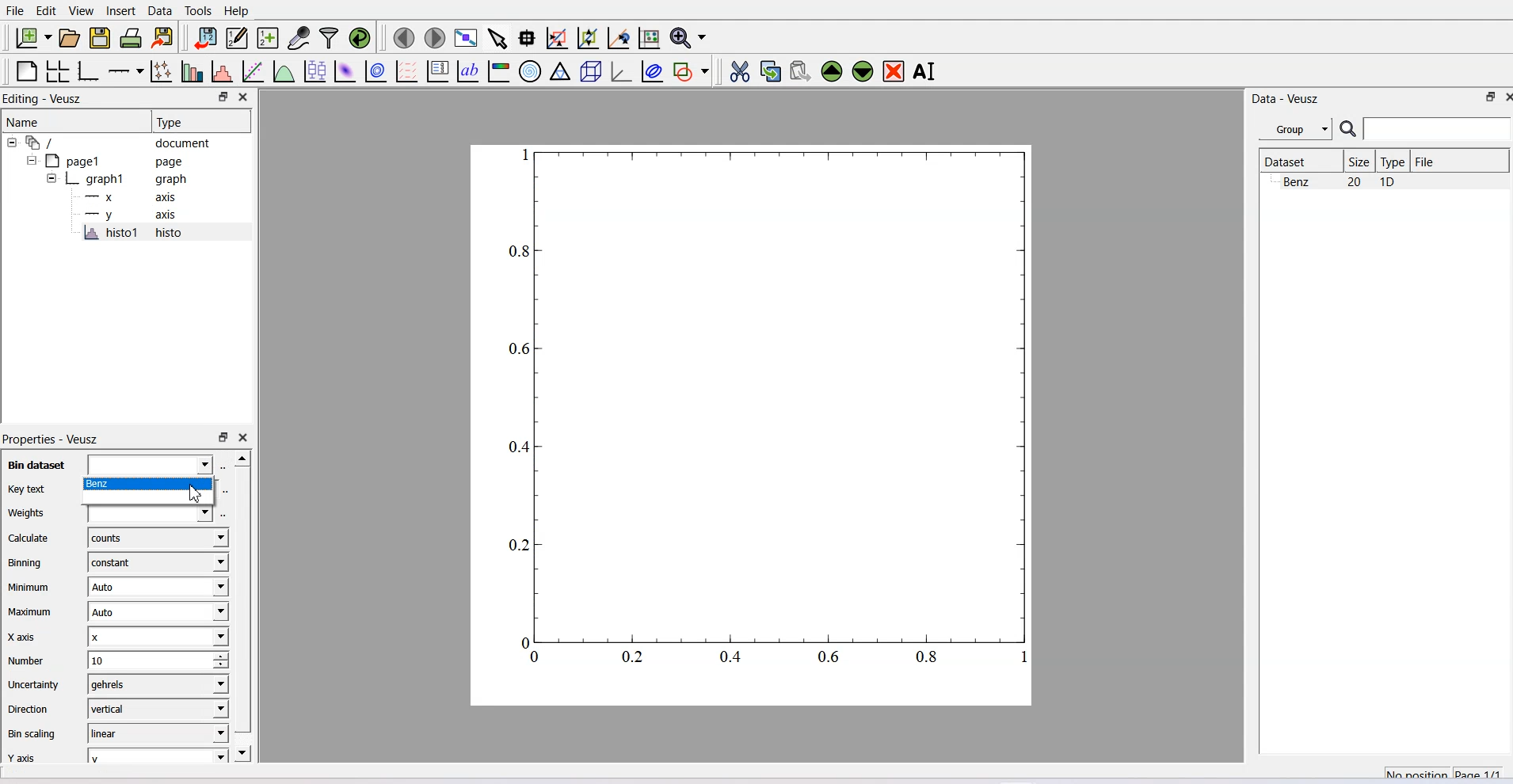  What do you see at coordinates (862, 72) in the screenshot?
I see `Move the selected widget down` at bounding box center [862, 72].